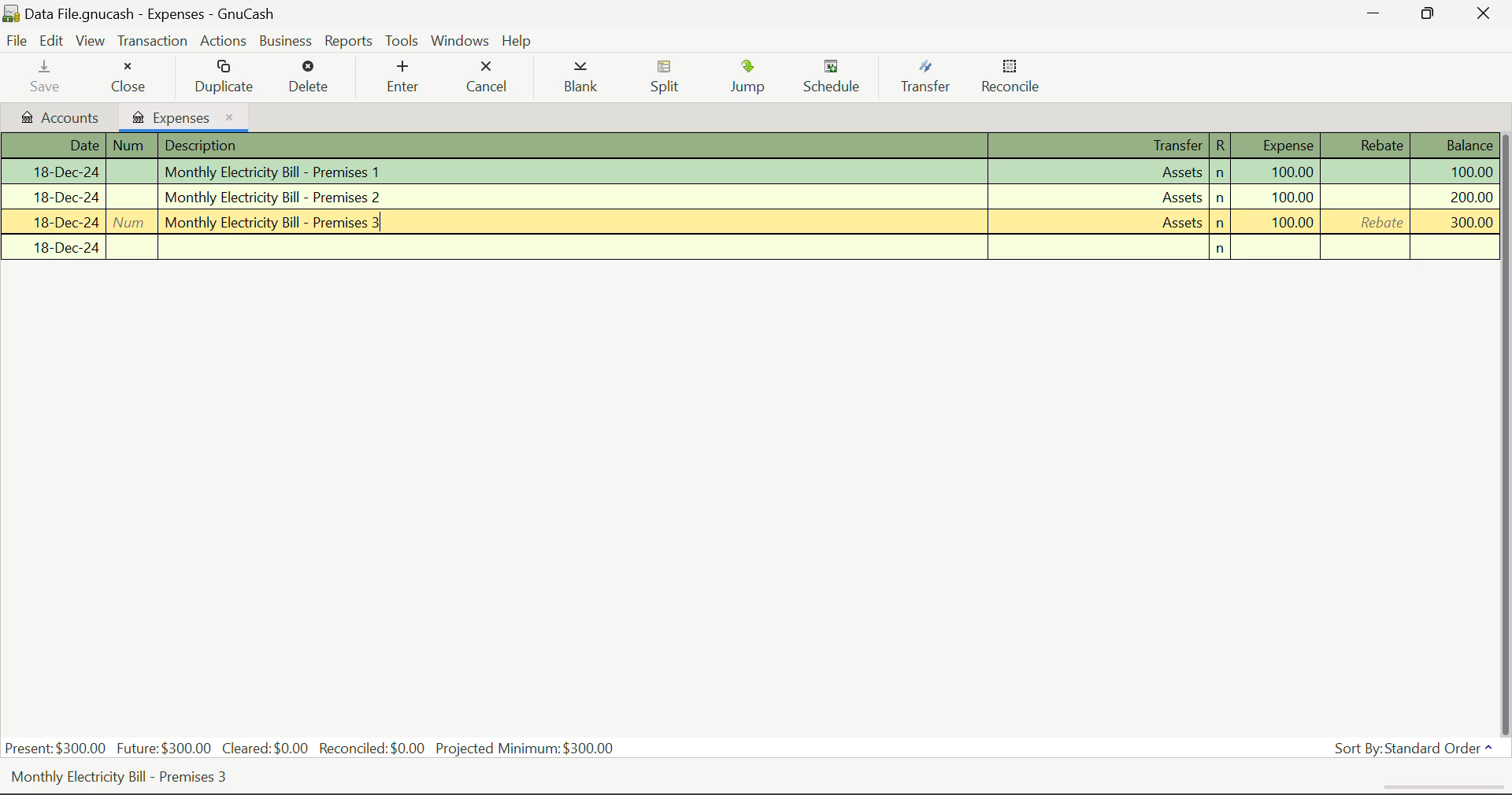 The image size is (1512, 795). I want to click on Close Window, so click(1484, 14).